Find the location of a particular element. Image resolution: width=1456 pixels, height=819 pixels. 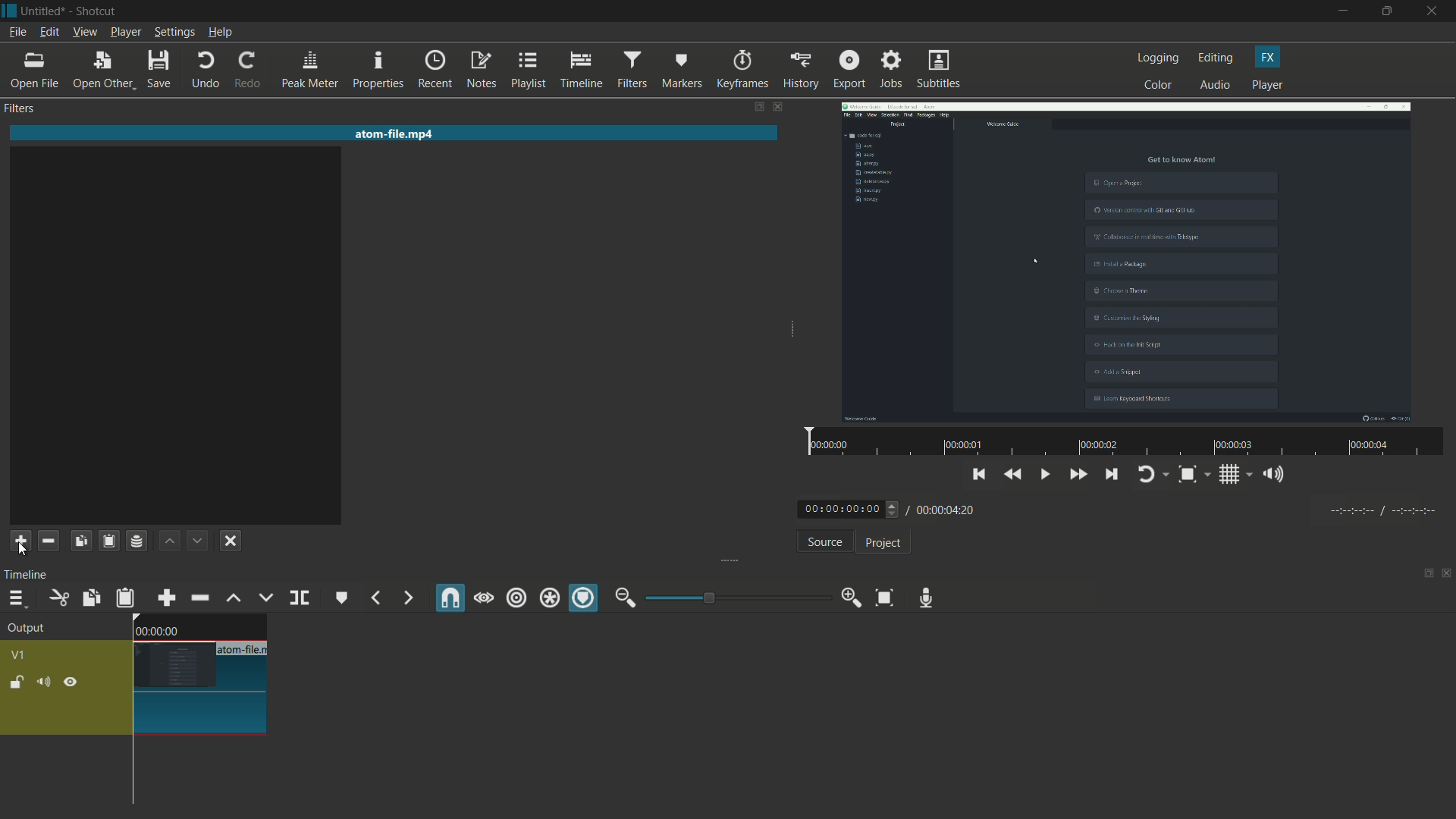

properties is located at coordinates (378, 71).